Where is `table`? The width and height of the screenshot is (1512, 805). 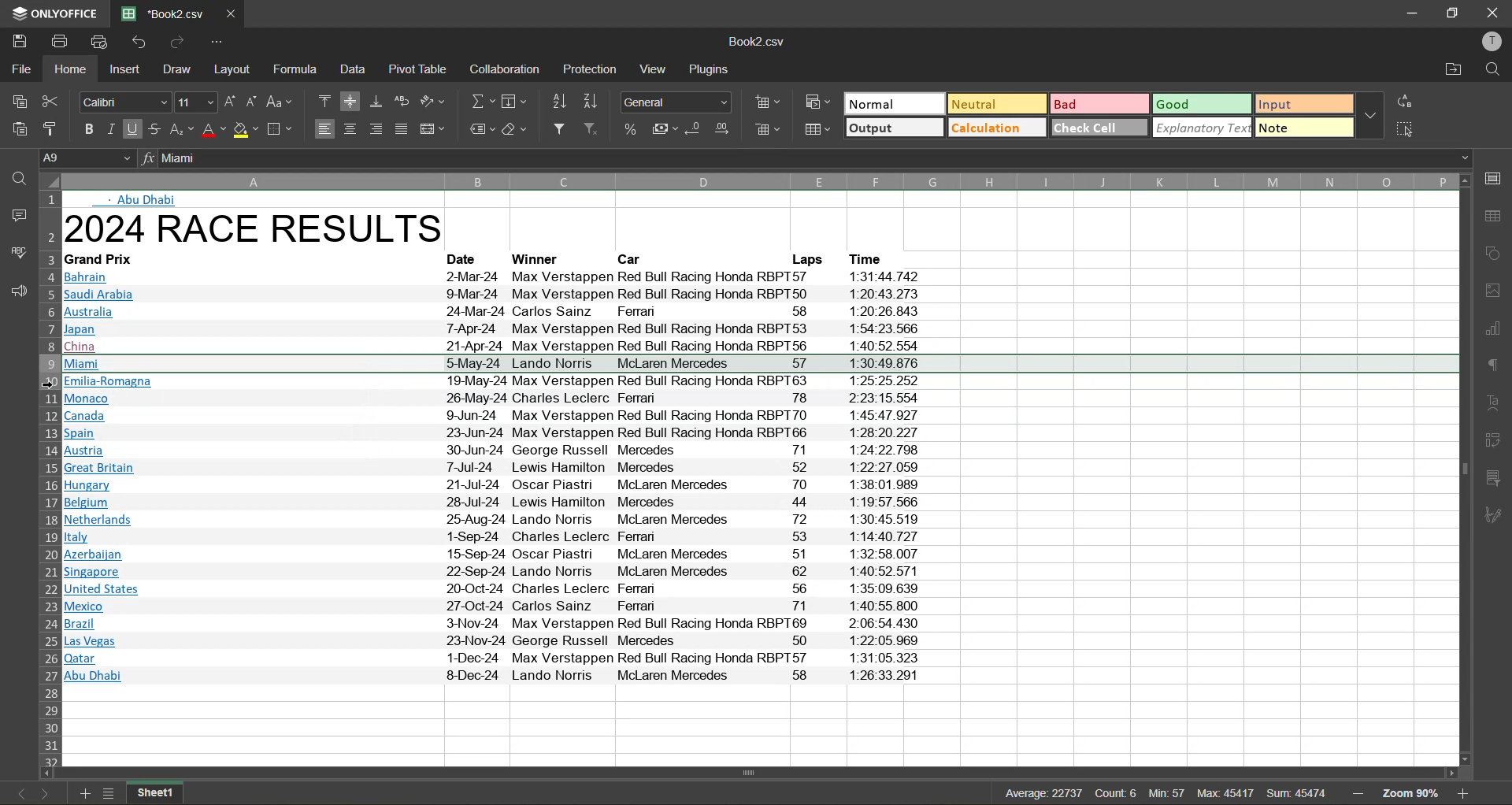 table is located at coordinates (1497, 218).